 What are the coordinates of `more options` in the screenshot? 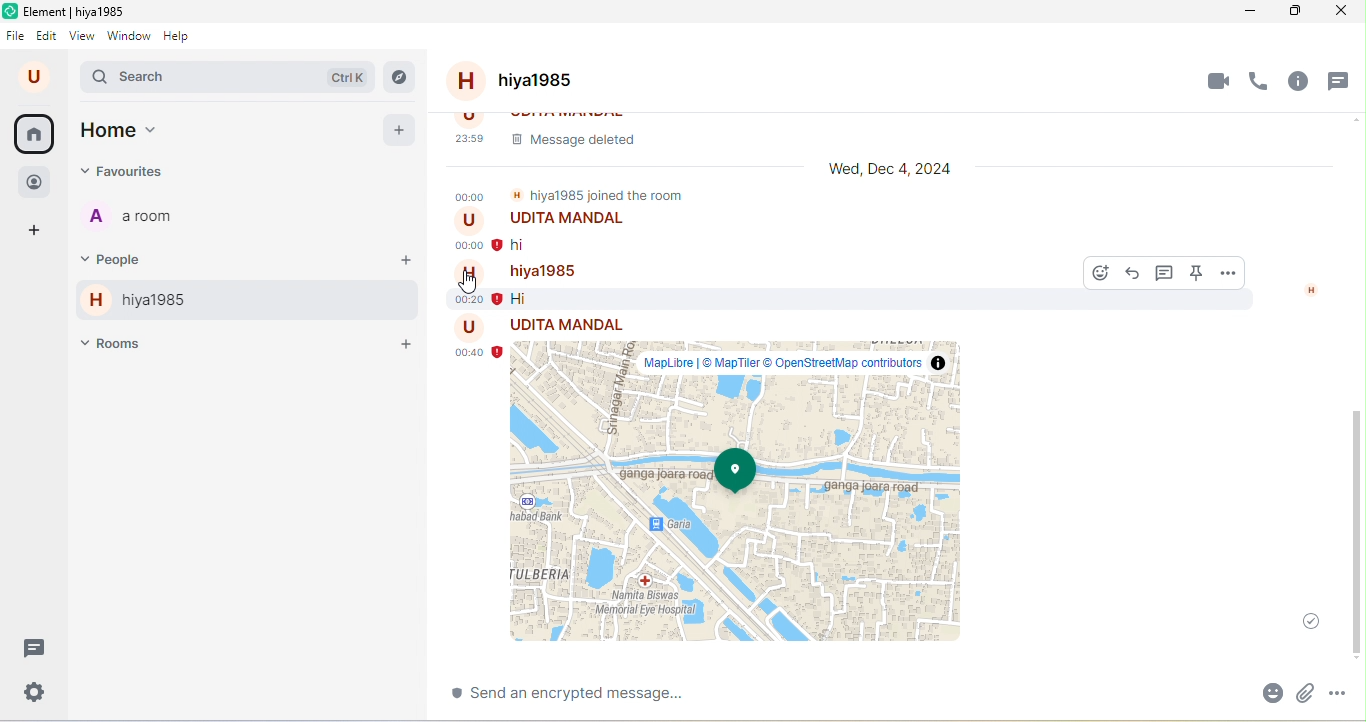 It's located at (1348, 690).